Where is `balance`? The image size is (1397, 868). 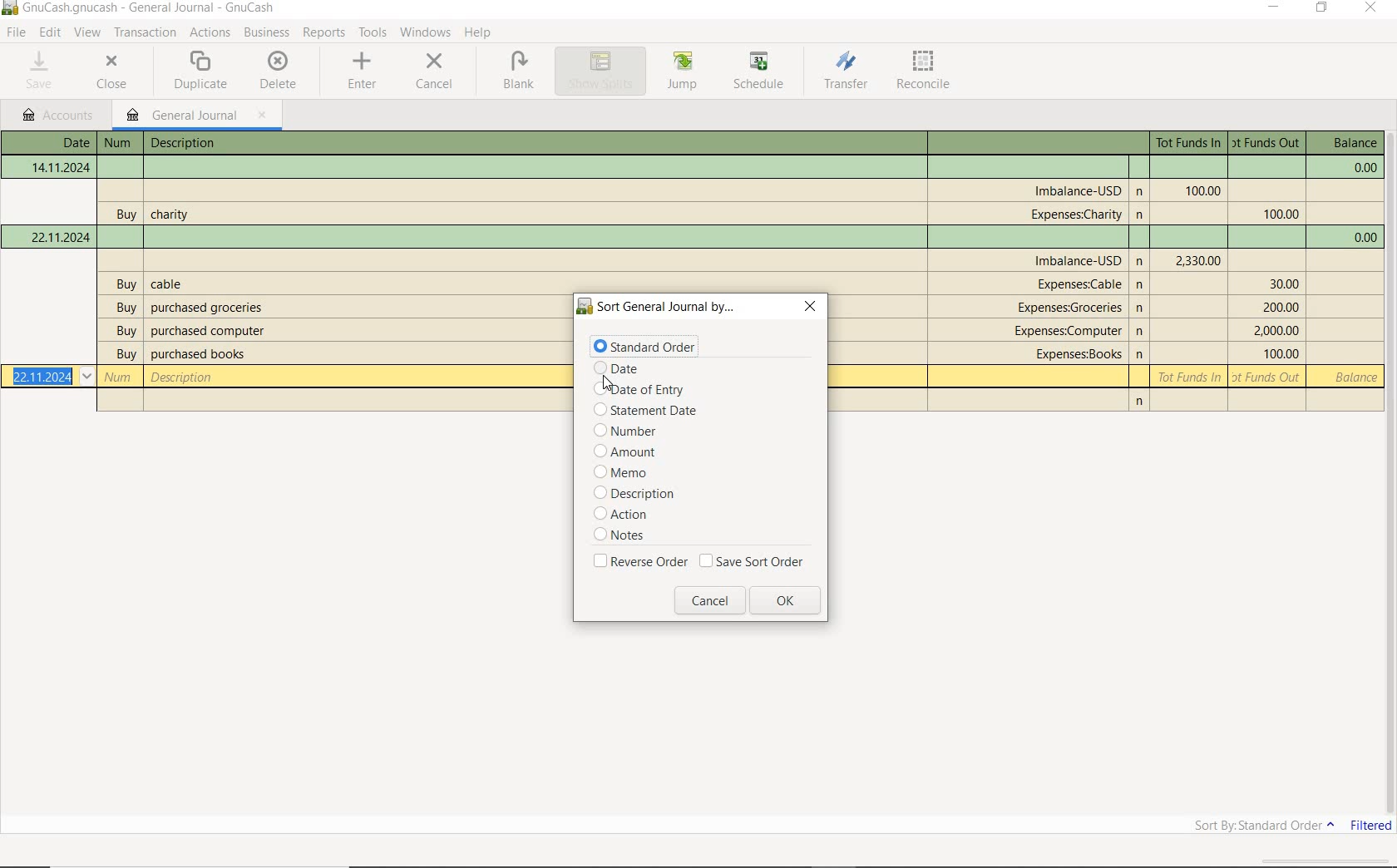
balance is located at coordinates (1361, 169).